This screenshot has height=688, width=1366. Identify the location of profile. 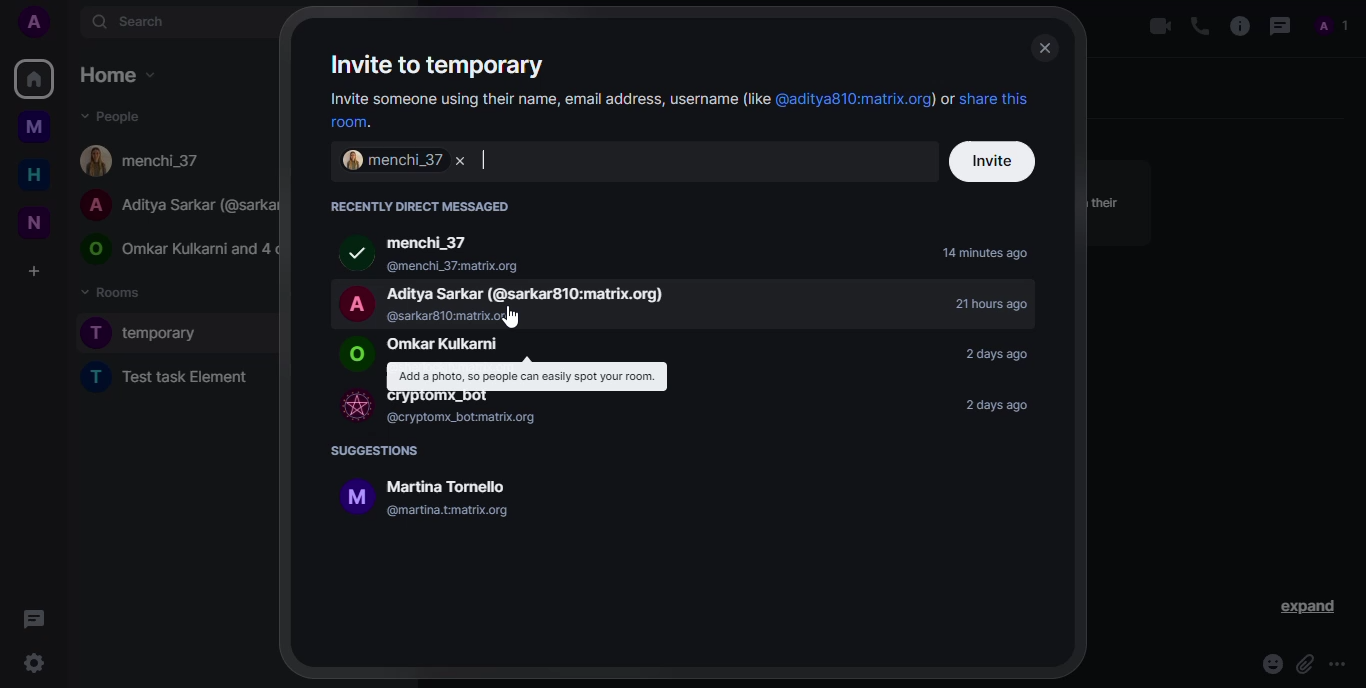
(1329, 25).